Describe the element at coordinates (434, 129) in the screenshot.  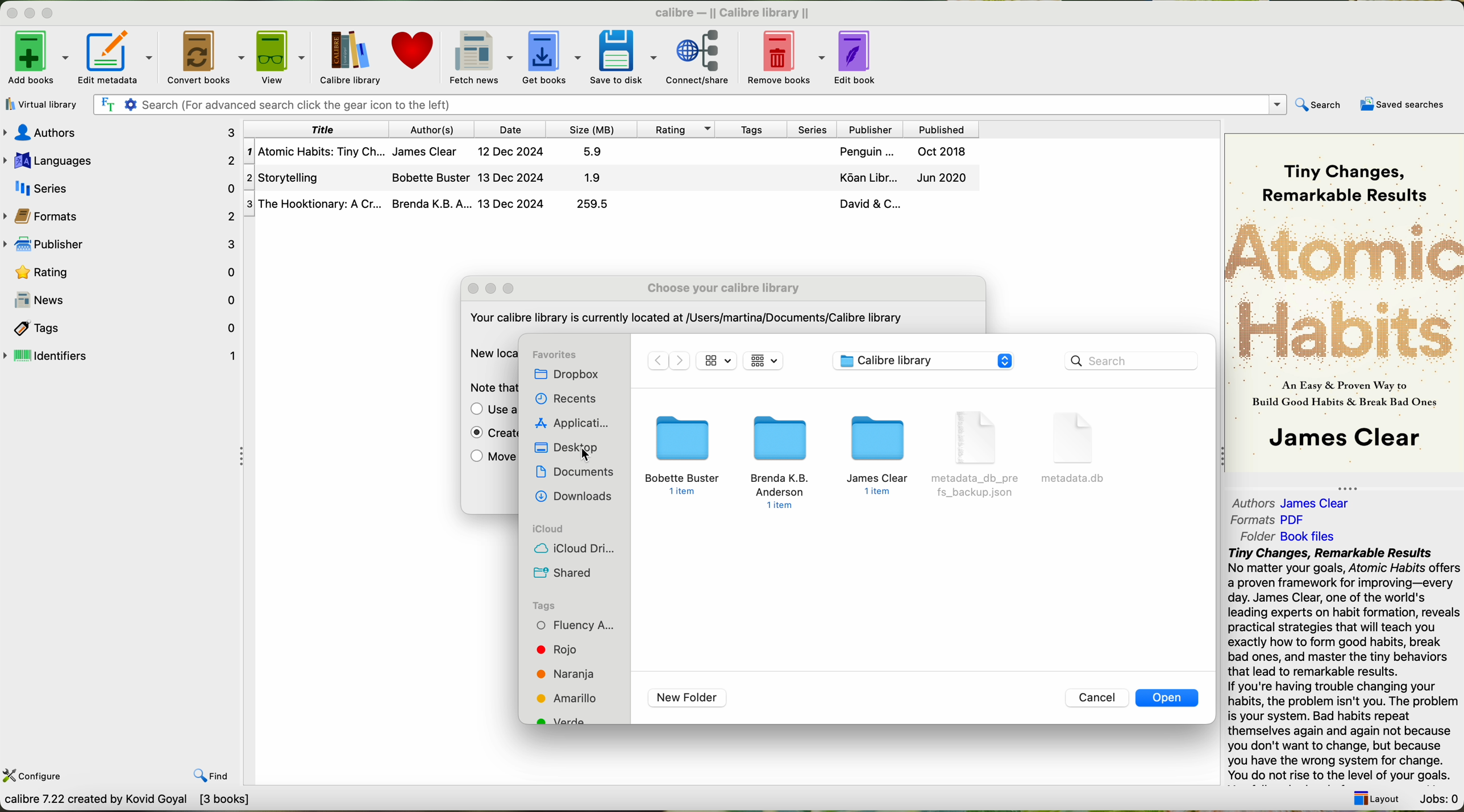
I see `author` at that location.